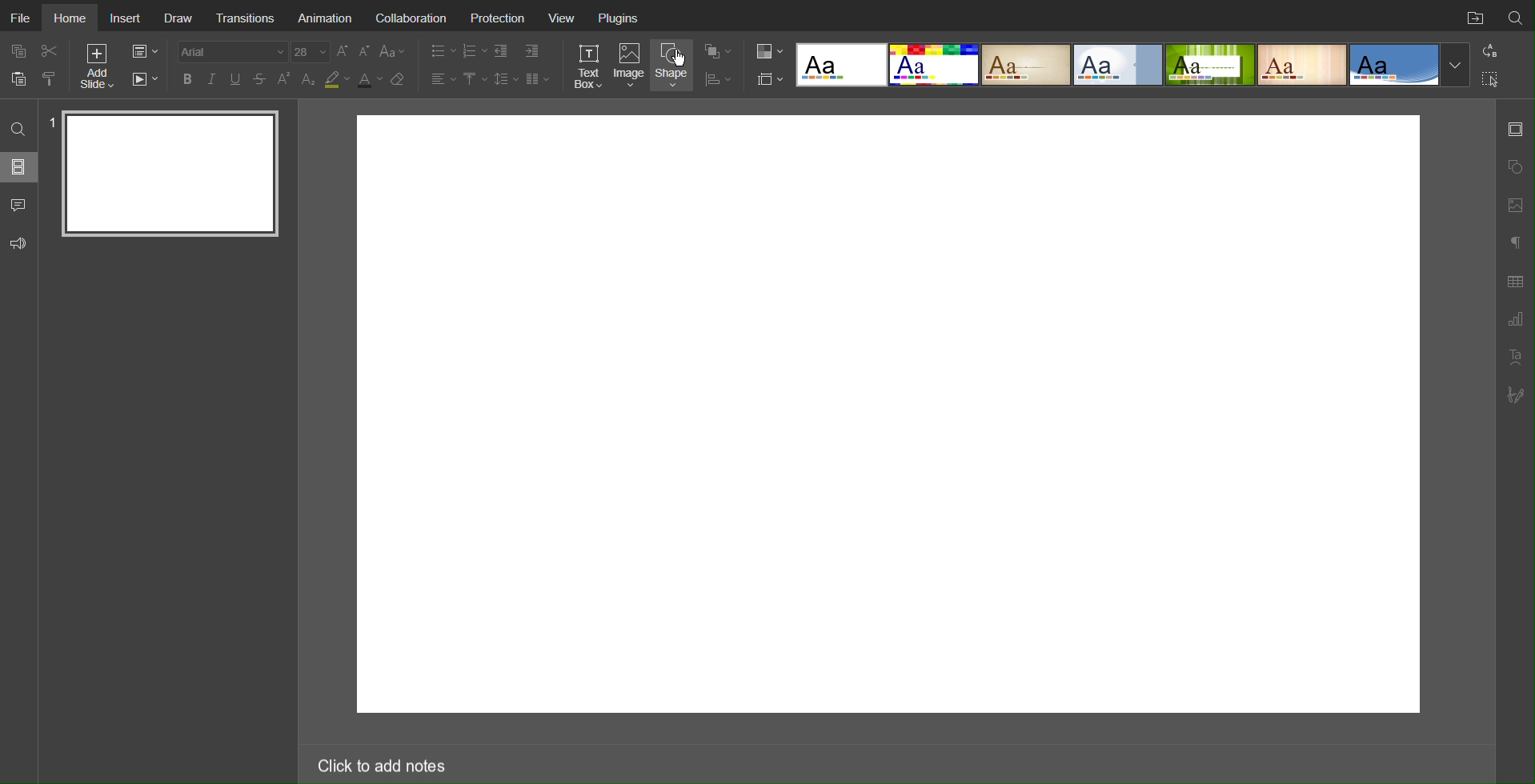 This screenshot has width=1535, height=784. I want to click on Distribution, so click(718, 78).